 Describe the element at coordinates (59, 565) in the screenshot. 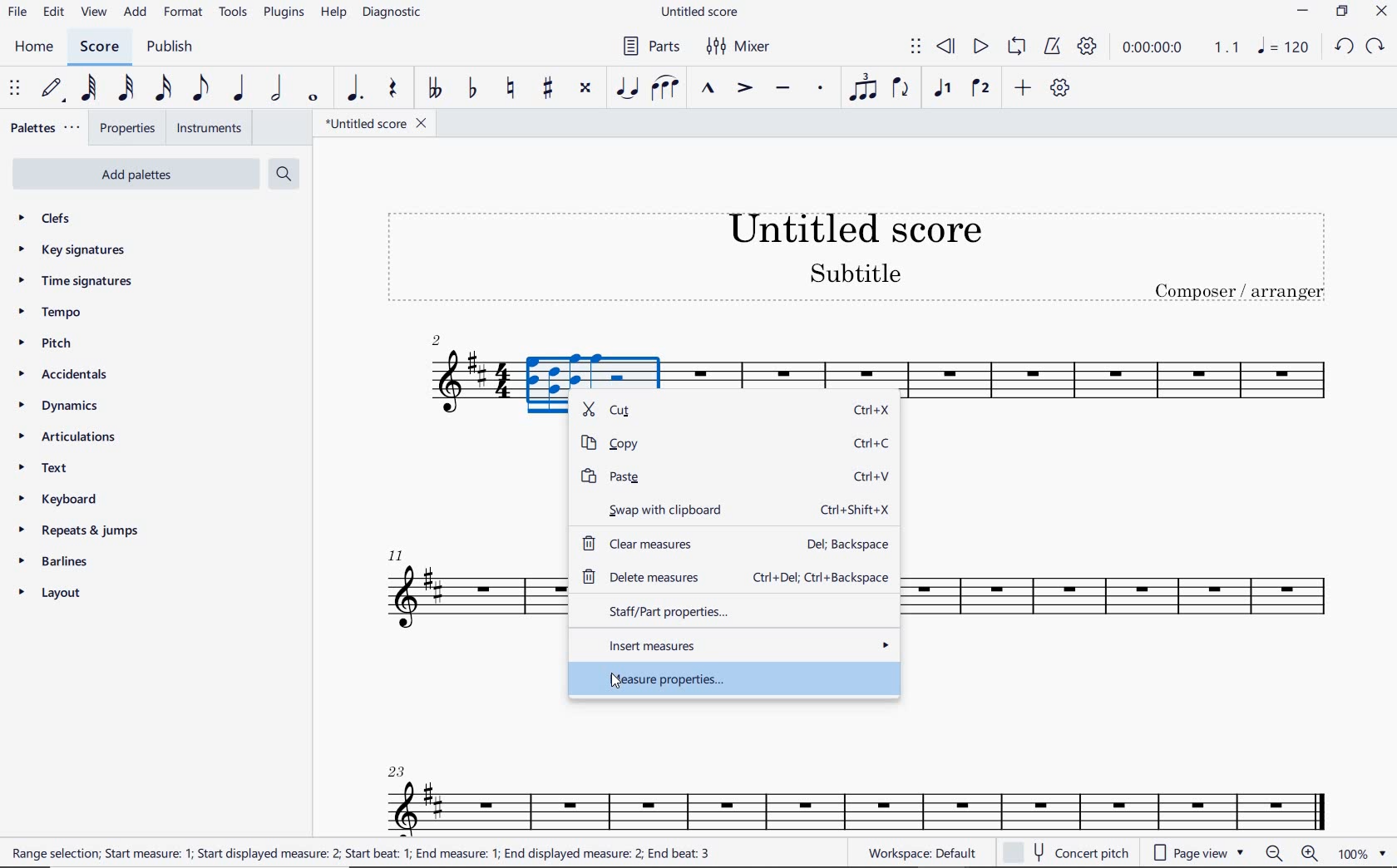

I see `BARLINES` at that location.